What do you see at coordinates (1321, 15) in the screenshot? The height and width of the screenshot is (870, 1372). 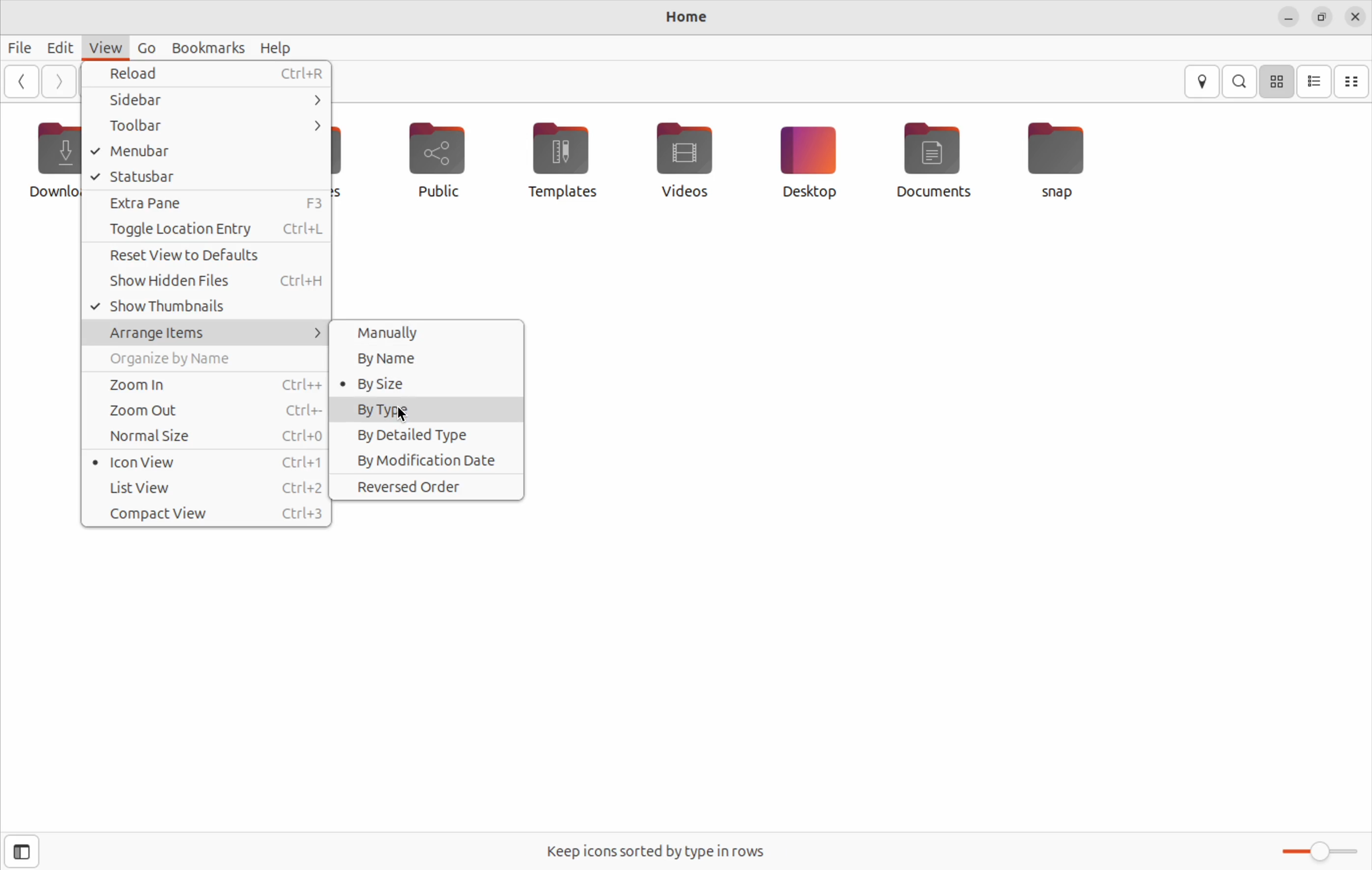 I see `resize` at bounding box center [1321, 15].